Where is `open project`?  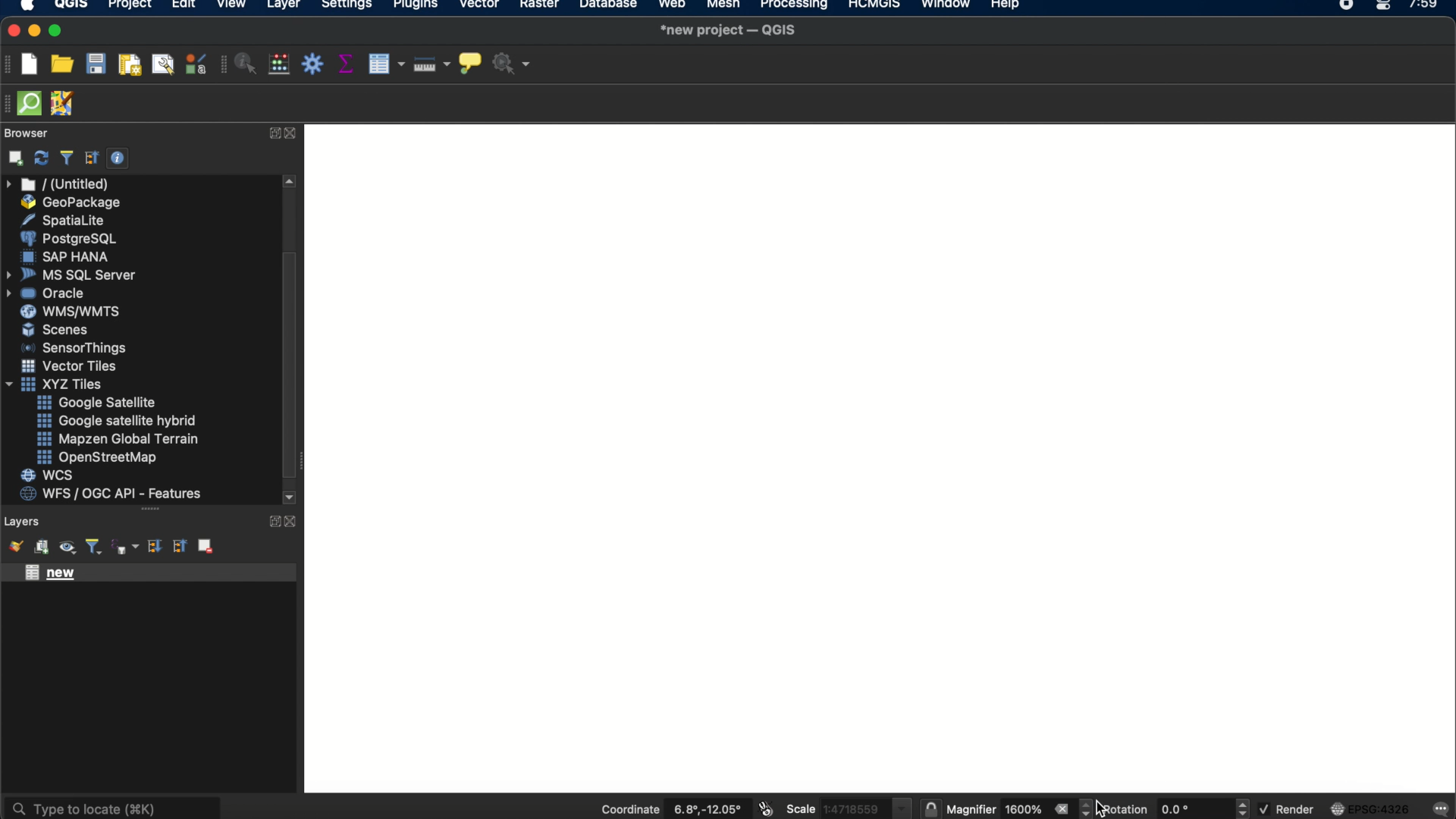 open project is located at coordinates (61, 64).